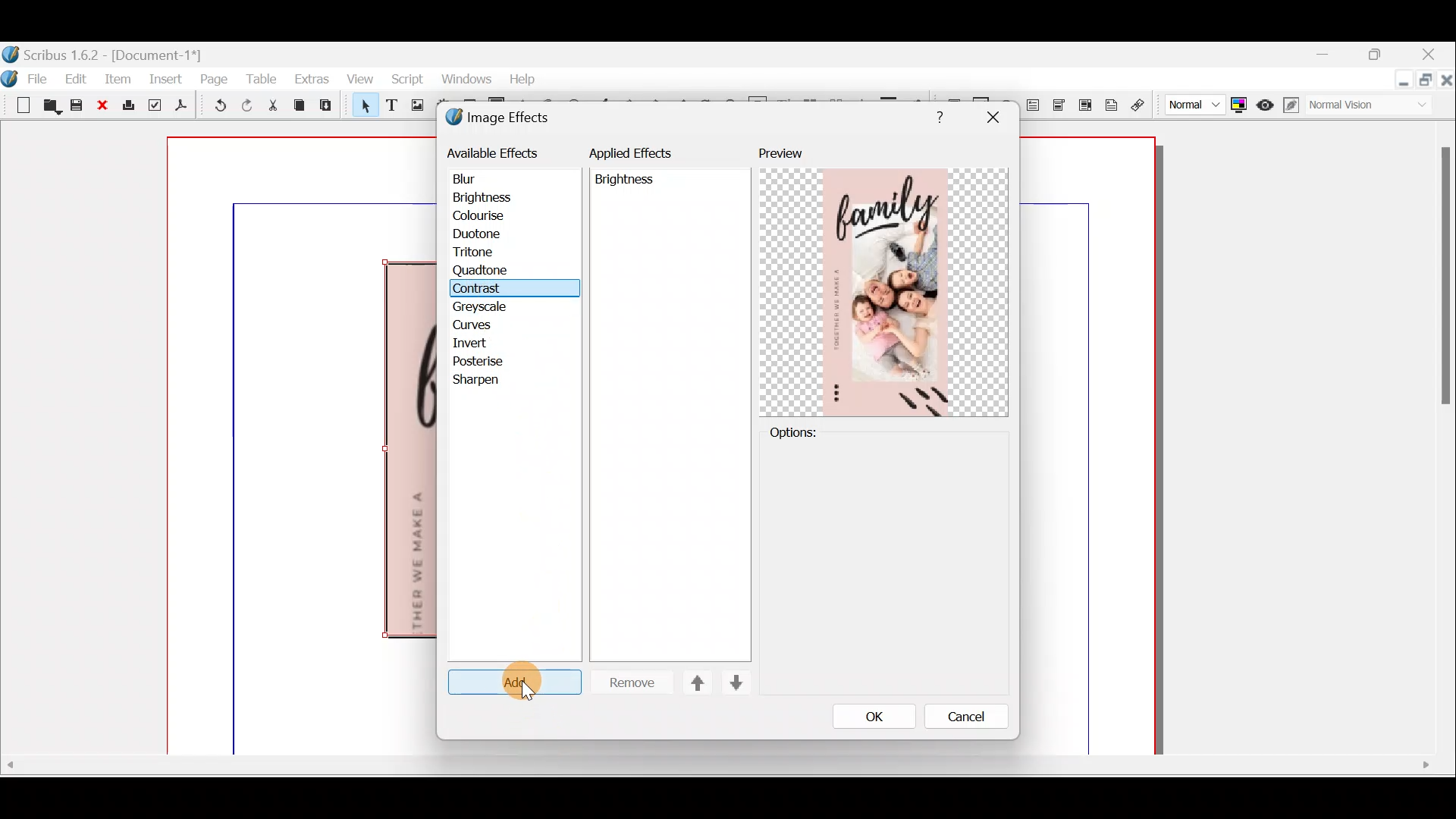 This screenshot has width=1456, height=819. Describe the element at coordinates (415, 107) in the screenshot. I see `Image frame` at that location.